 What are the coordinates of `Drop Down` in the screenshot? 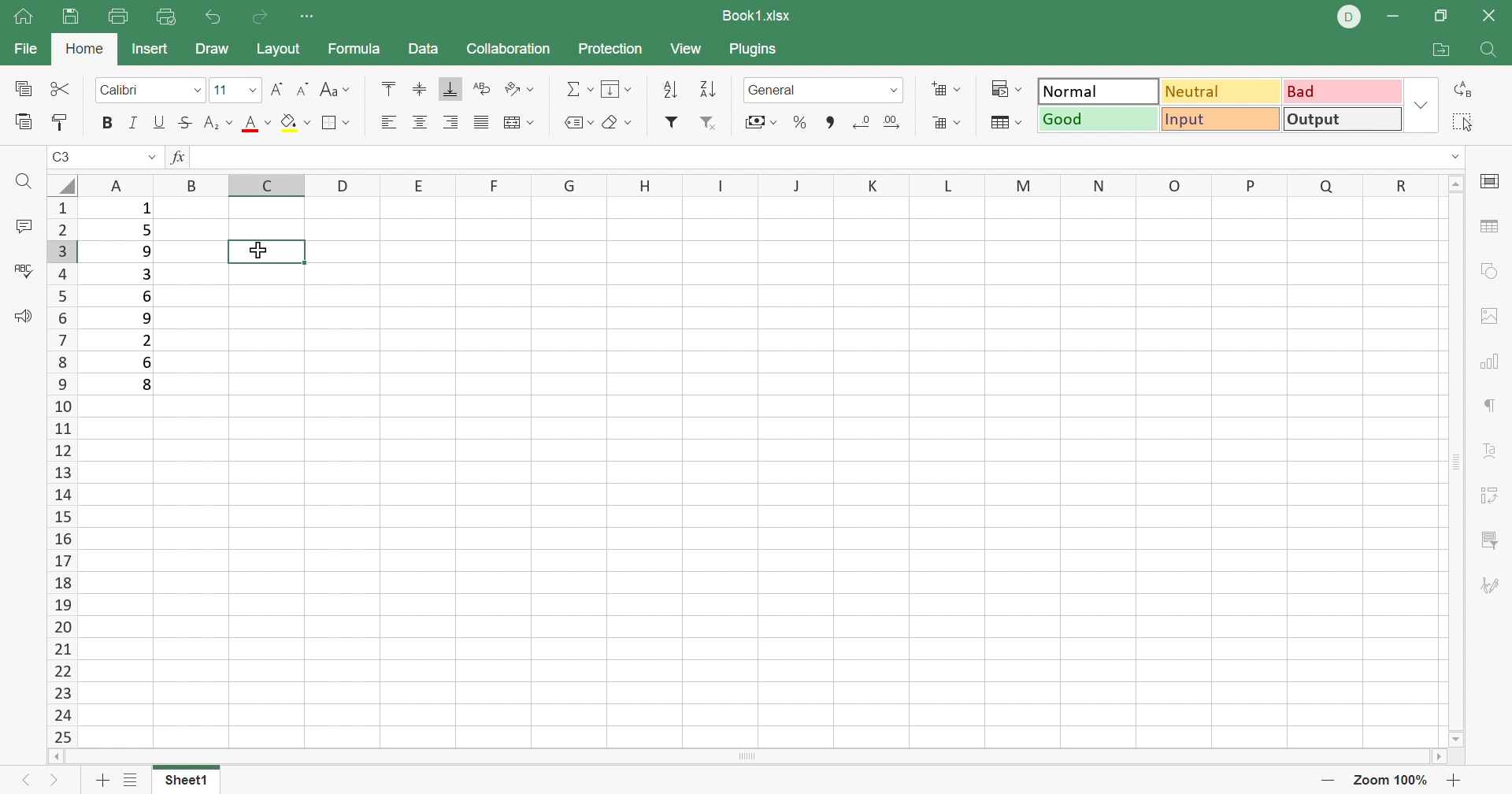 It's located at (150, 157).